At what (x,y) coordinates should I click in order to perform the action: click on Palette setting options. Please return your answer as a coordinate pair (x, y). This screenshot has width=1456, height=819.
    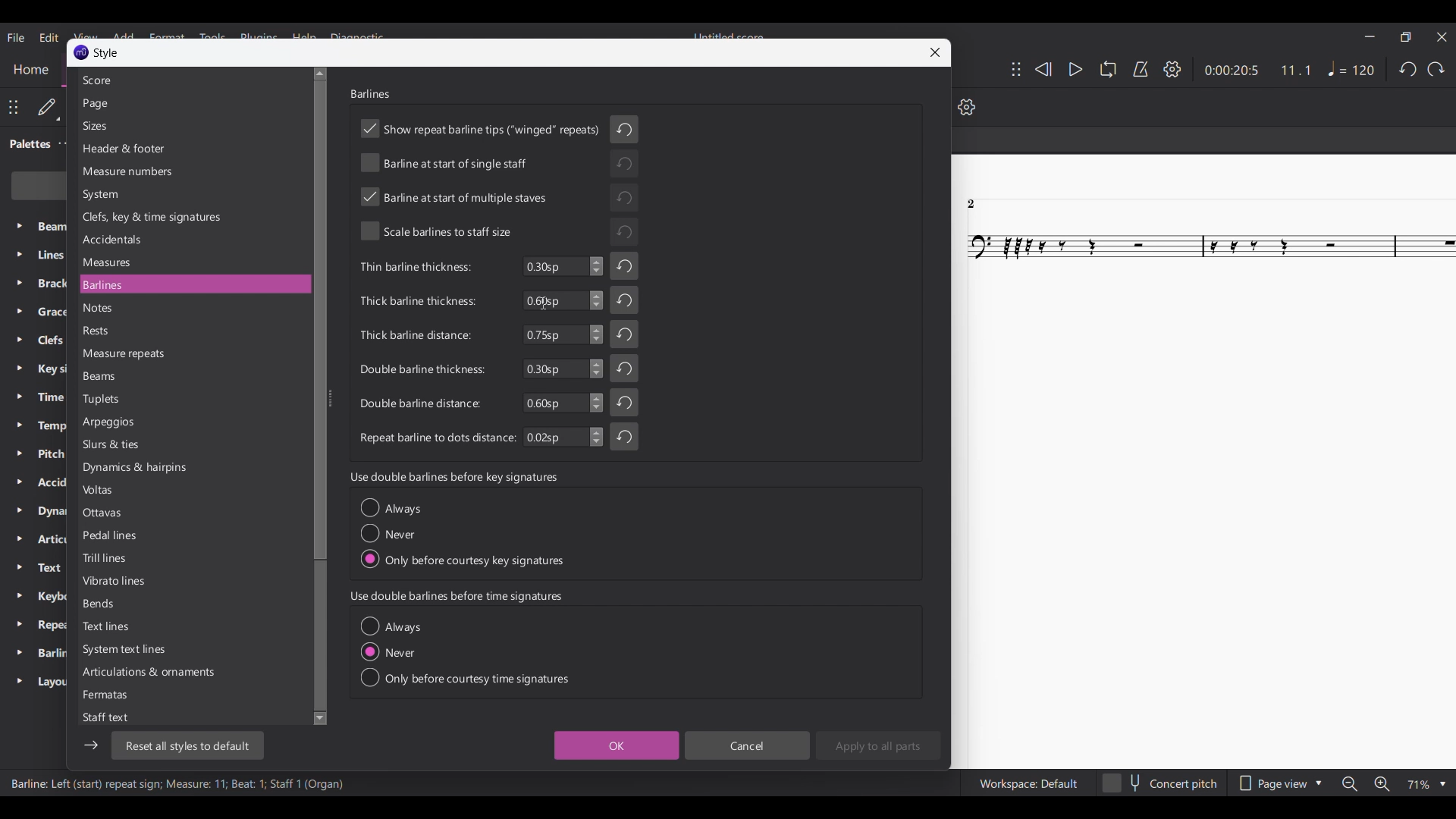
    Looking at the image, I should click on (50, 456).